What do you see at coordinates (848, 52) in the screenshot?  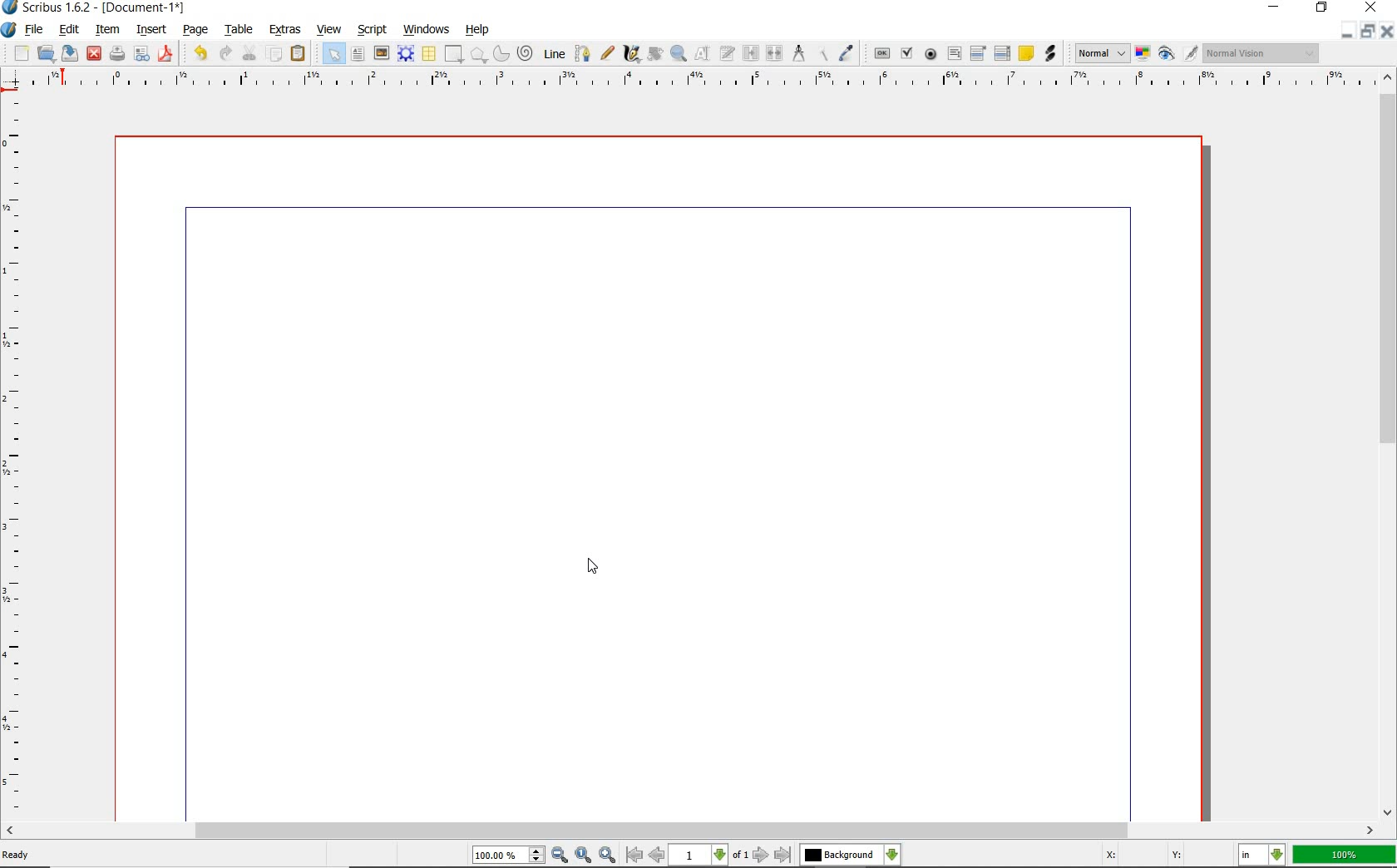 I see `eye dropper` at bounding box center [848, 52].